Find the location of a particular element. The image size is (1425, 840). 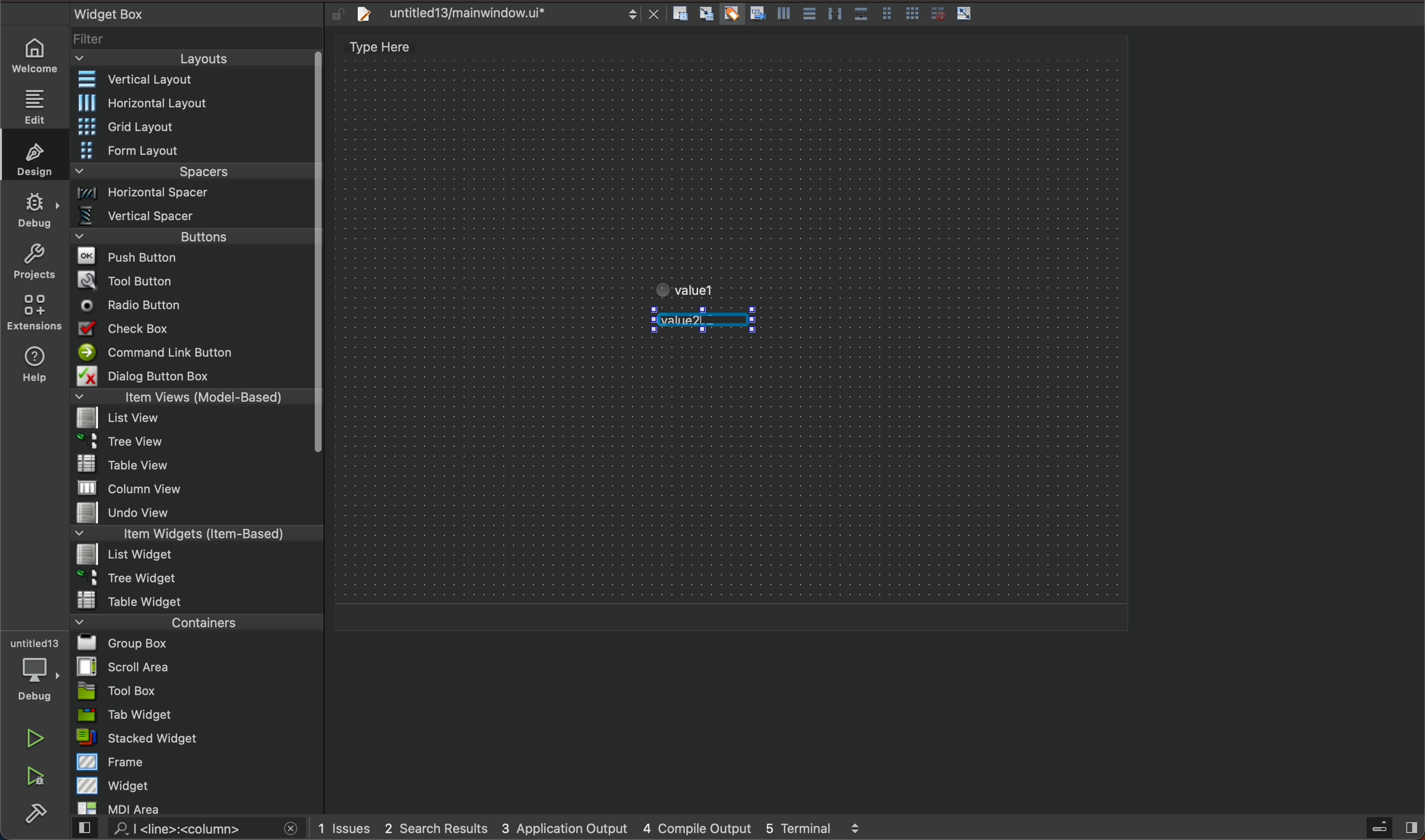

 is located at coordinates (190, 445).